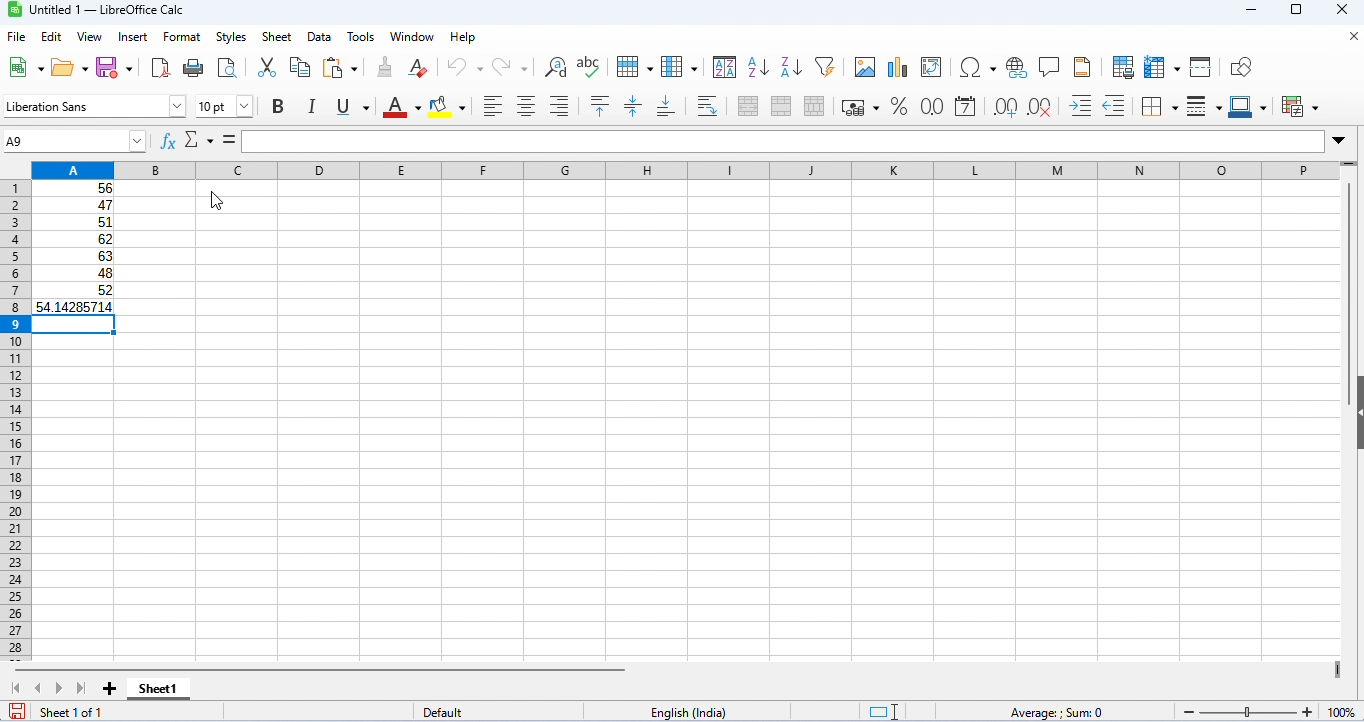 This screenshot has width=1364, height=722. What do you see at coordinates (344, 68) in the screenshot?
I see `paste` at bounding box center [344, 68].